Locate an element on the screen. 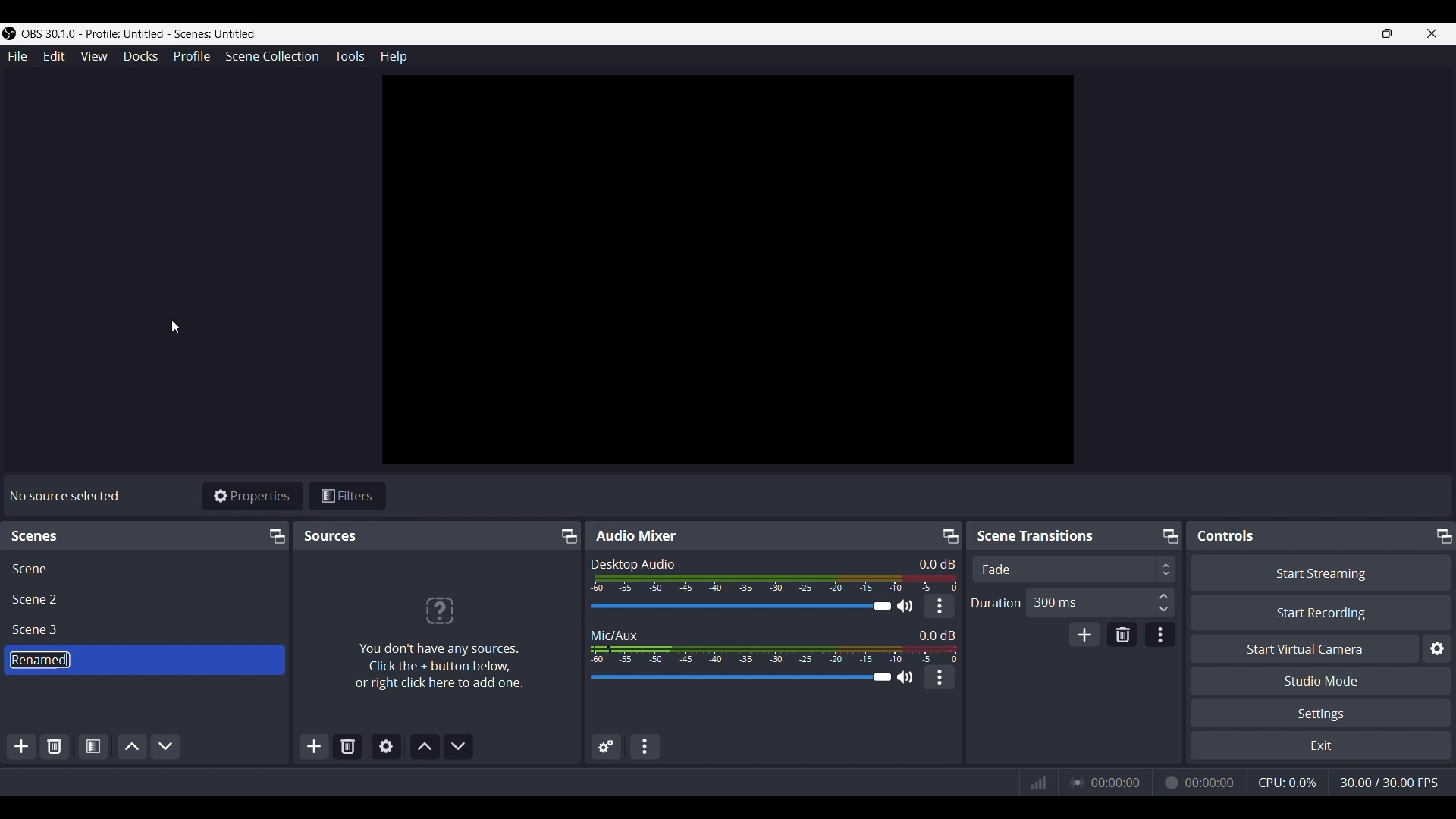 The height and width of the screenshot is (819, 1456). Move source(s) down is located at coordinates (457, 745).